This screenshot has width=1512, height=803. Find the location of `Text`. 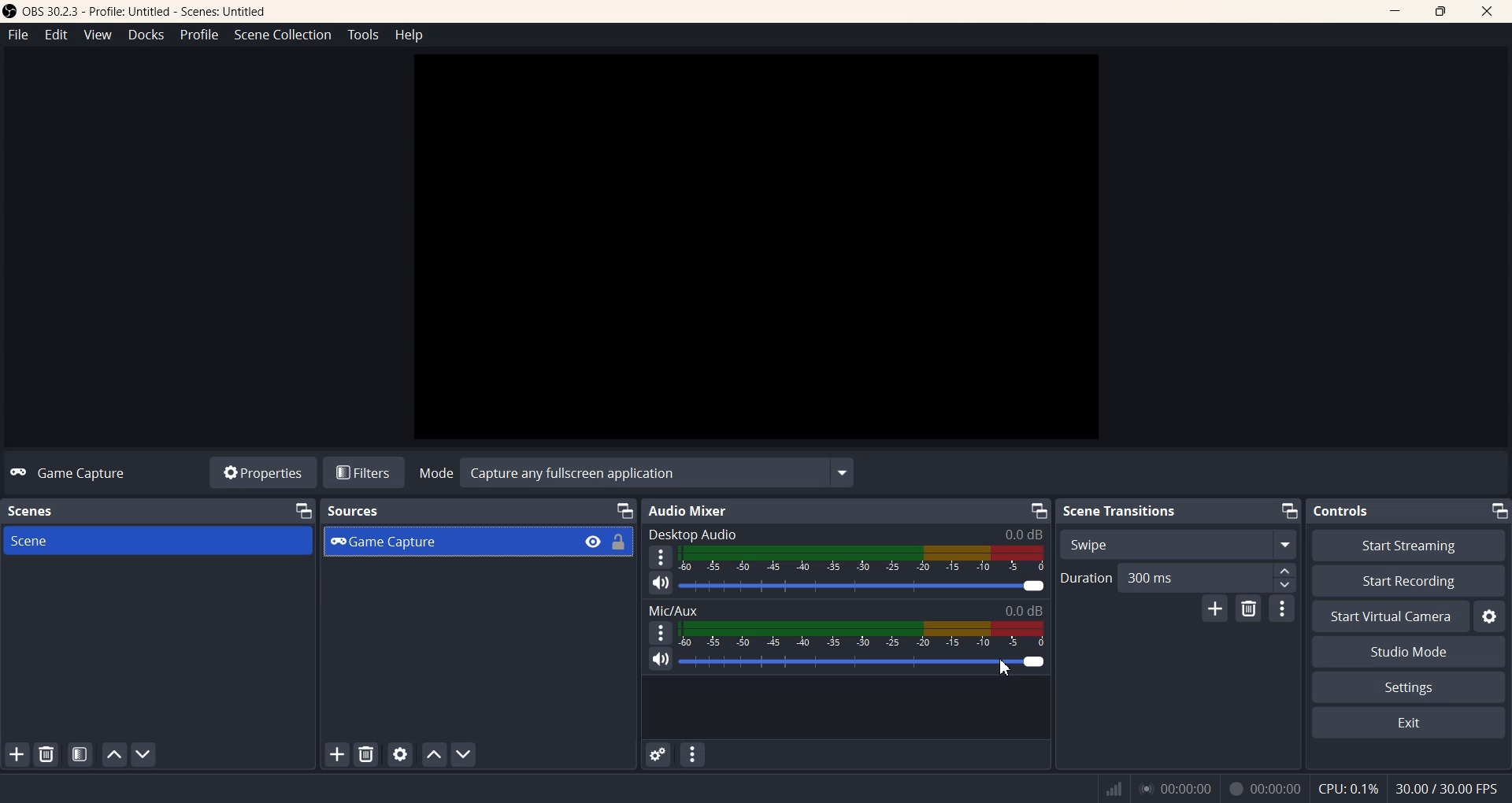

Text is located at coordinates (846, 533).